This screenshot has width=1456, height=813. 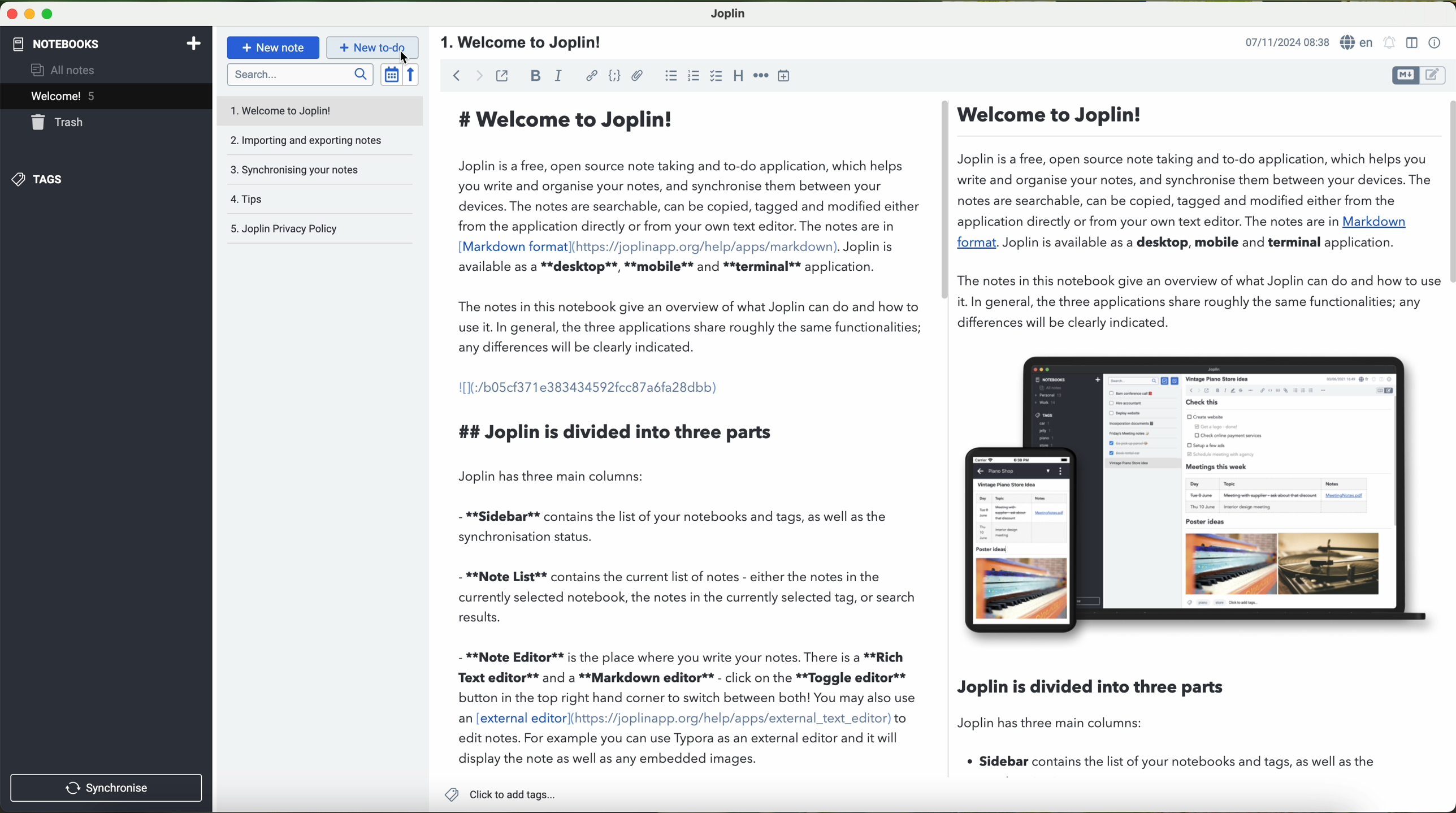 What do you see at coordinates (1412, 42) in the screenshot?
I see `toggle editor layout` at bounding box center [1412, 42].